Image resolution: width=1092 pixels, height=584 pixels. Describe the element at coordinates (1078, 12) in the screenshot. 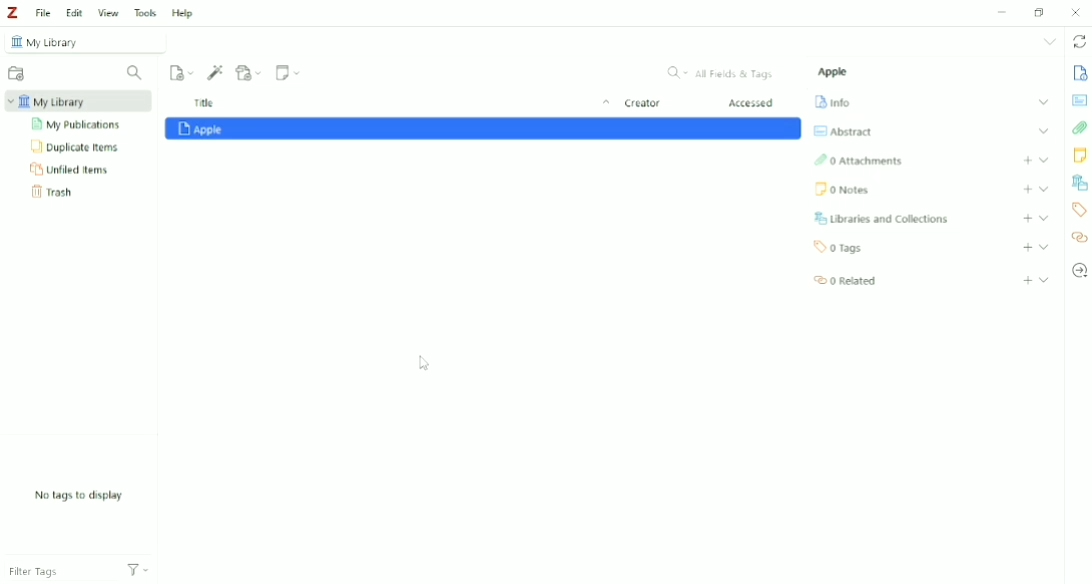

I see `Close` at that location.